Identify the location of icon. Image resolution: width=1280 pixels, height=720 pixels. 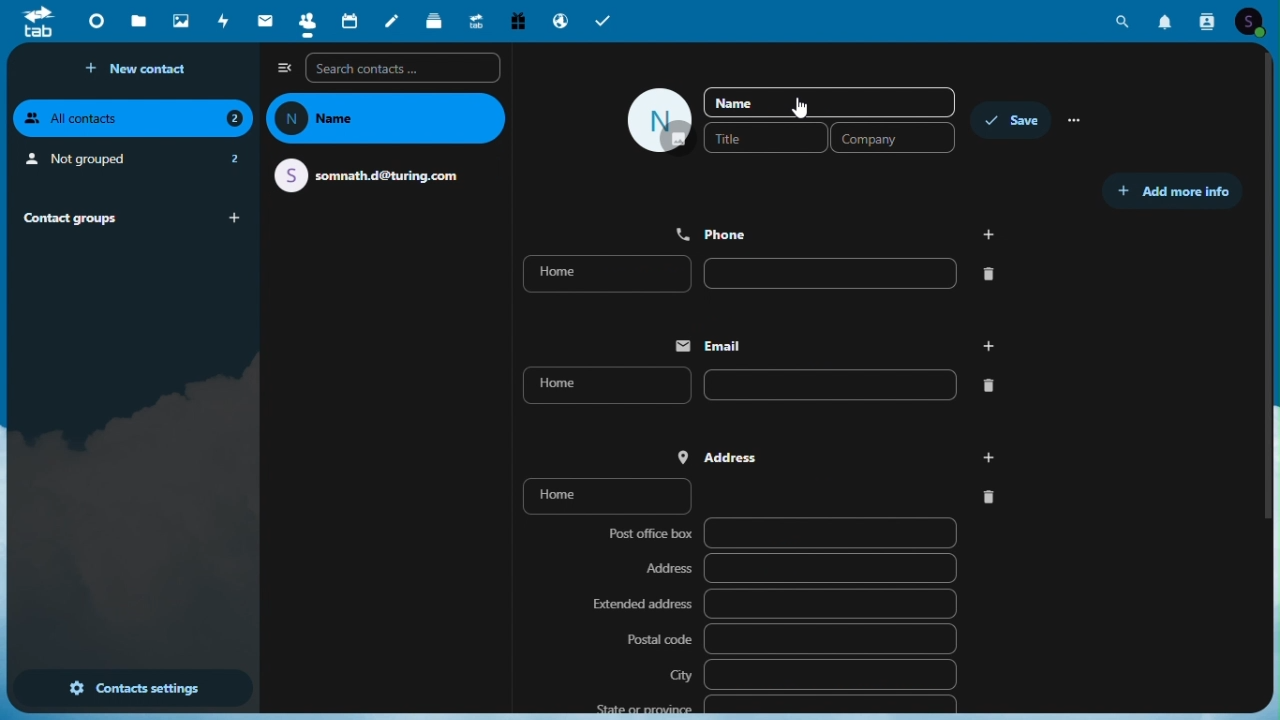
(661, 120).